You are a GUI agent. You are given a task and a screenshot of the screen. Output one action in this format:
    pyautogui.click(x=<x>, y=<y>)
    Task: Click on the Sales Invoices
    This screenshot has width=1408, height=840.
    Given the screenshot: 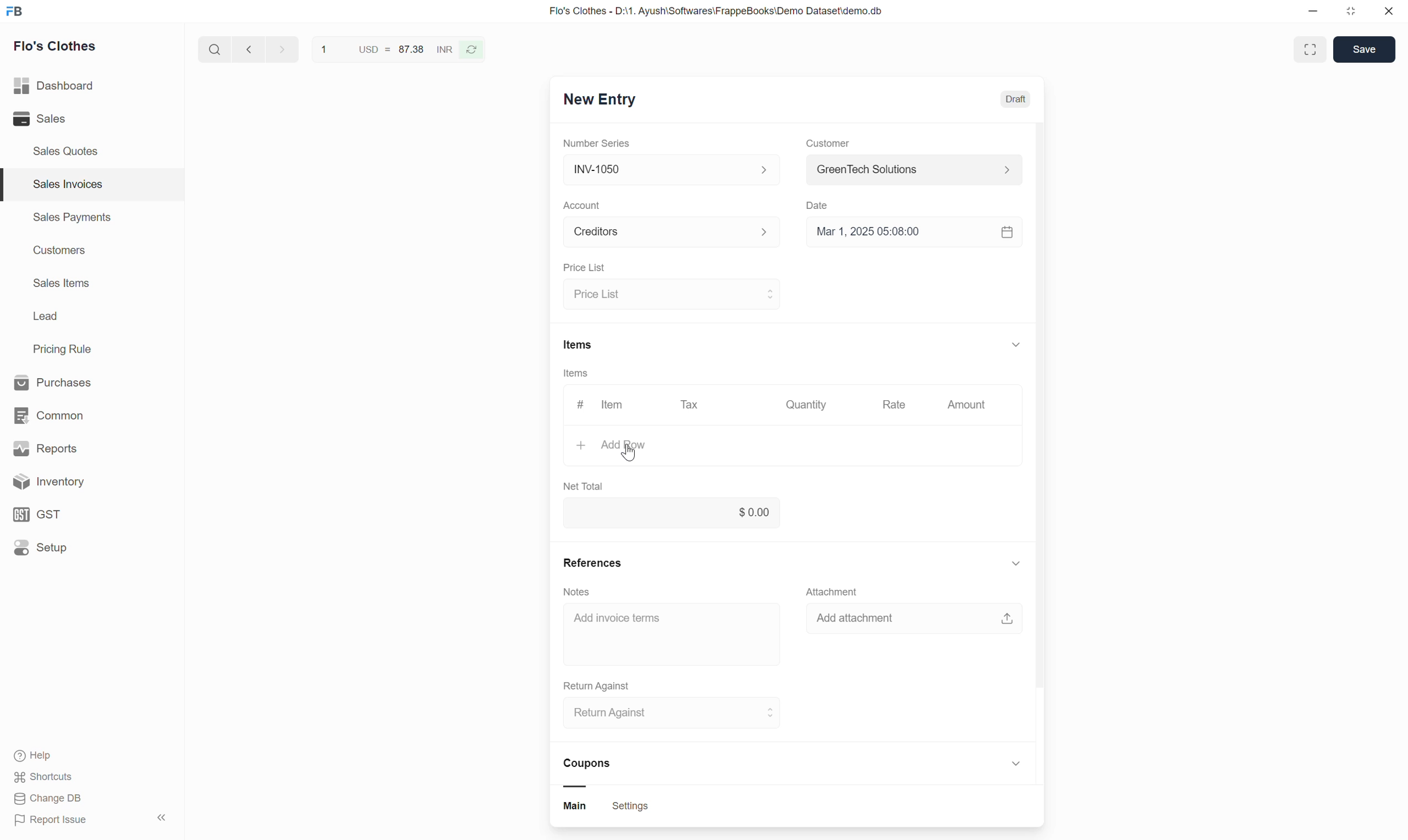 What is the action you would take?
    pyautogui.click(x=66, y=184)
    